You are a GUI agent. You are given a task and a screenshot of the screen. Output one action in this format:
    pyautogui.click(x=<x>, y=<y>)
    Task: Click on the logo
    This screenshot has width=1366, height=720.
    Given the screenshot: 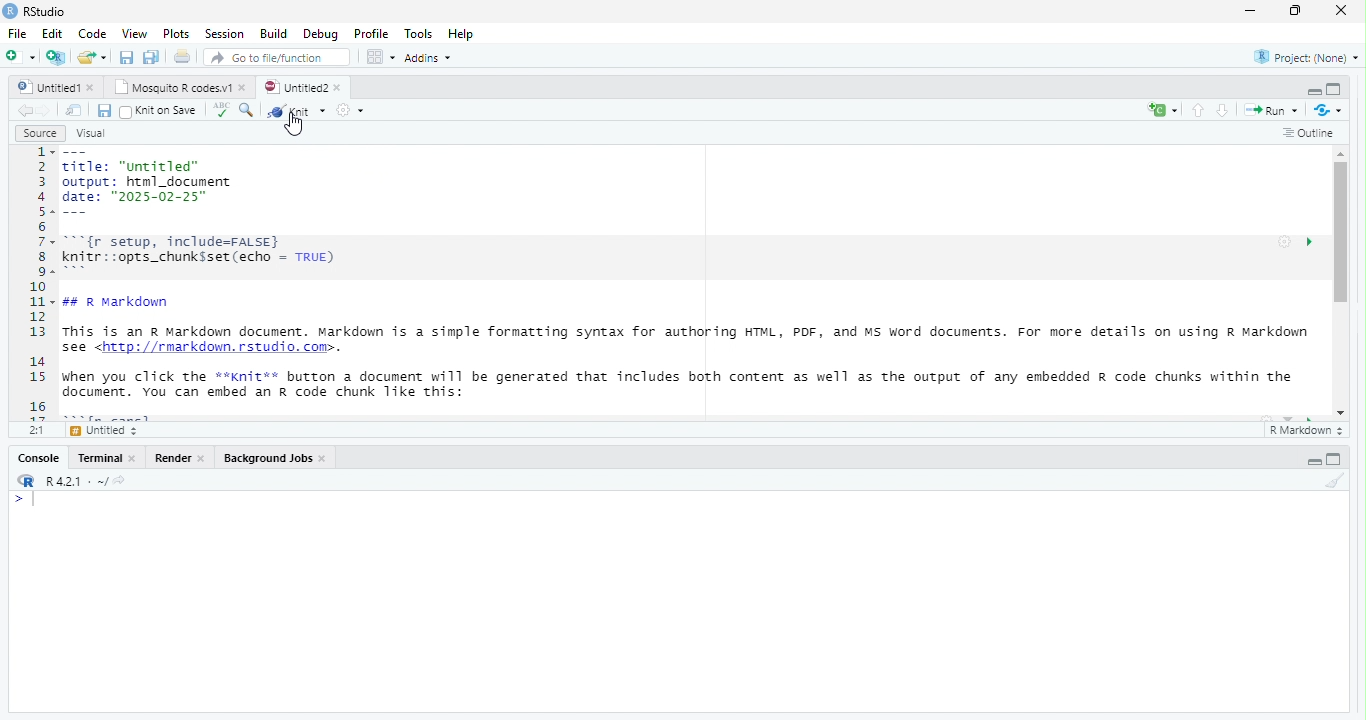 What is the action you would take?
    pyautogui.click(x=28, y=480)
    